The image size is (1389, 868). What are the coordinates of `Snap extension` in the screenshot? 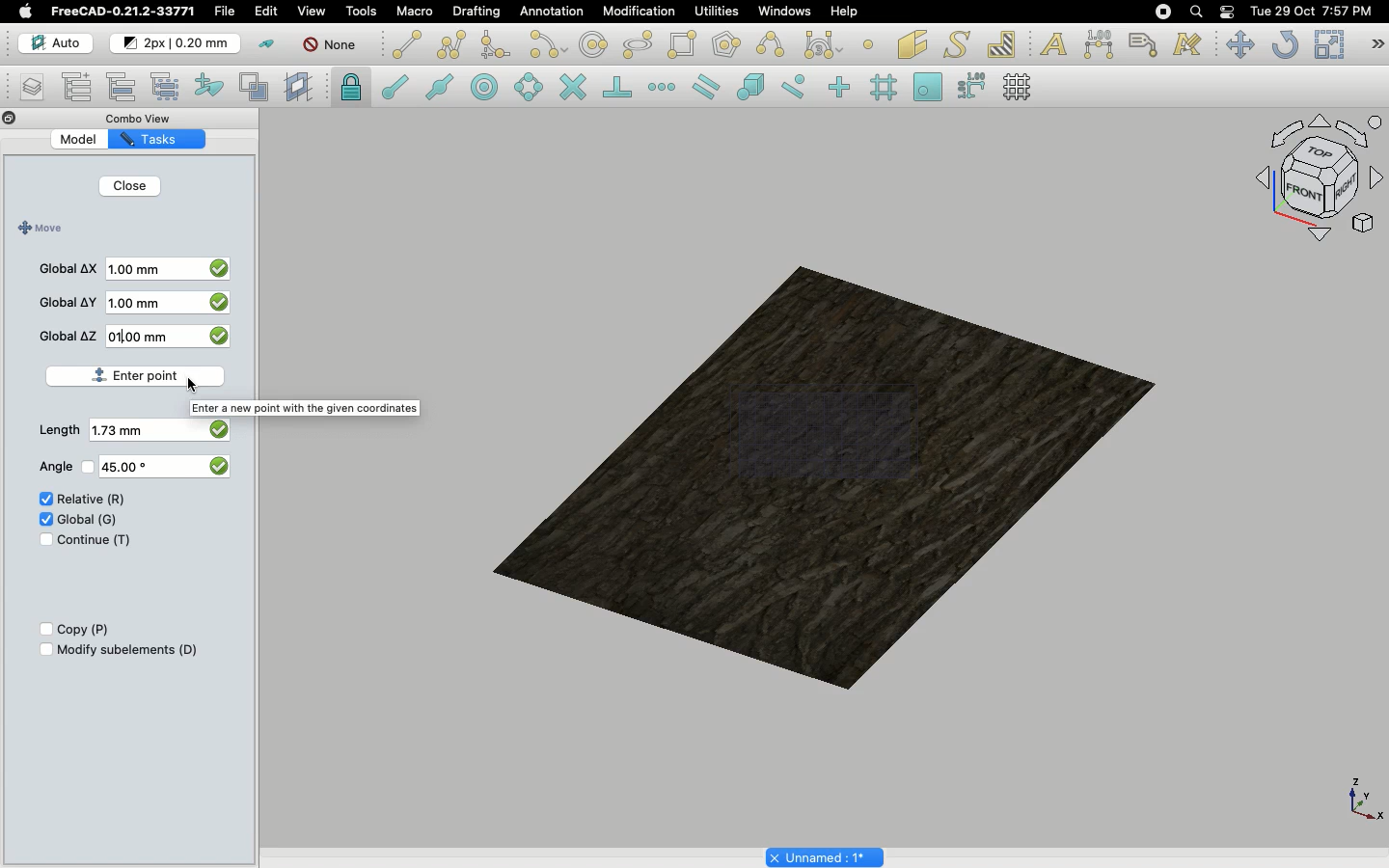 It's located at (664, 88).